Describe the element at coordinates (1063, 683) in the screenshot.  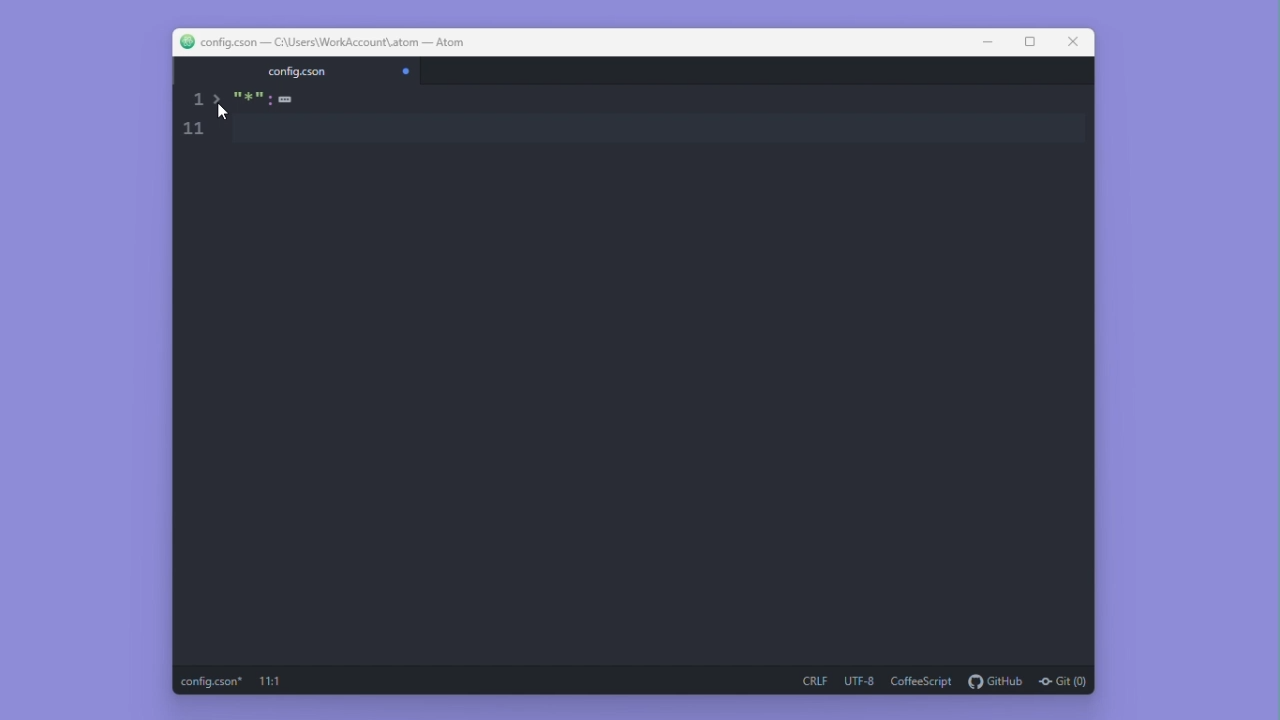
I see `git (0)` at that location.